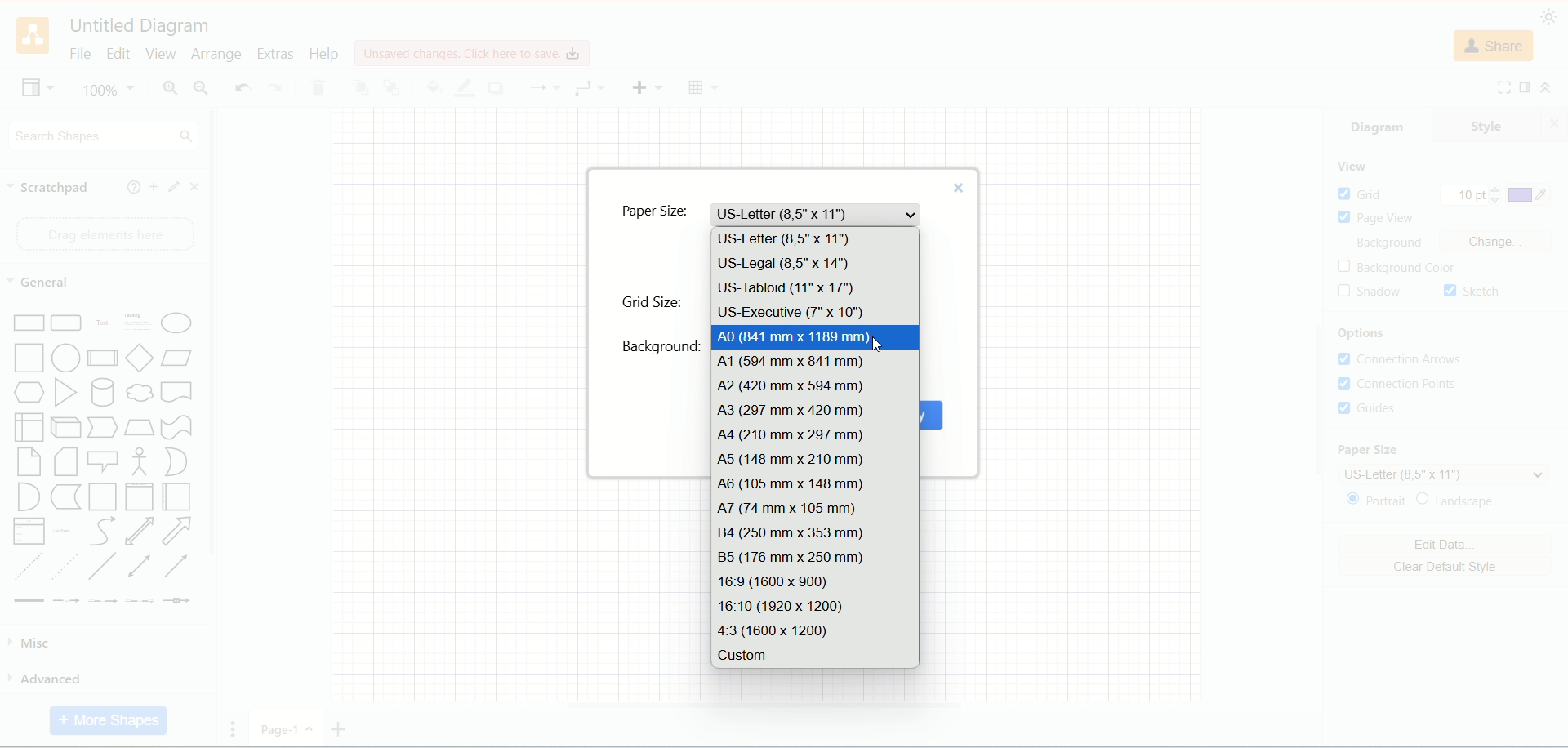  What do you see at coordinates (878, 341) in the screenshot?
I see `Cursor Position` at bounding box center [878, 341].